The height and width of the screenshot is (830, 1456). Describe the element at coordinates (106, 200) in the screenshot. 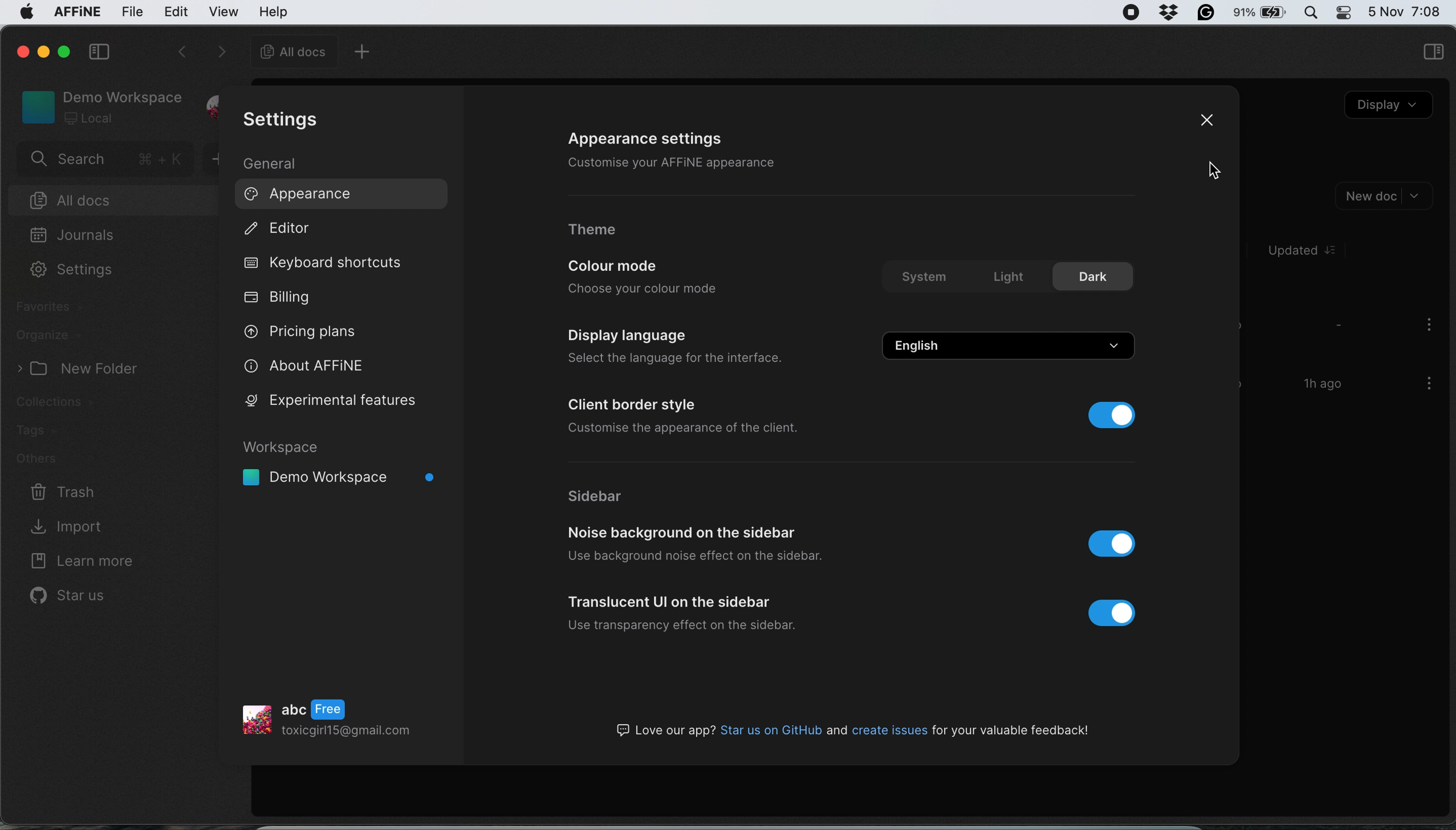

I see `all docs` at that location.